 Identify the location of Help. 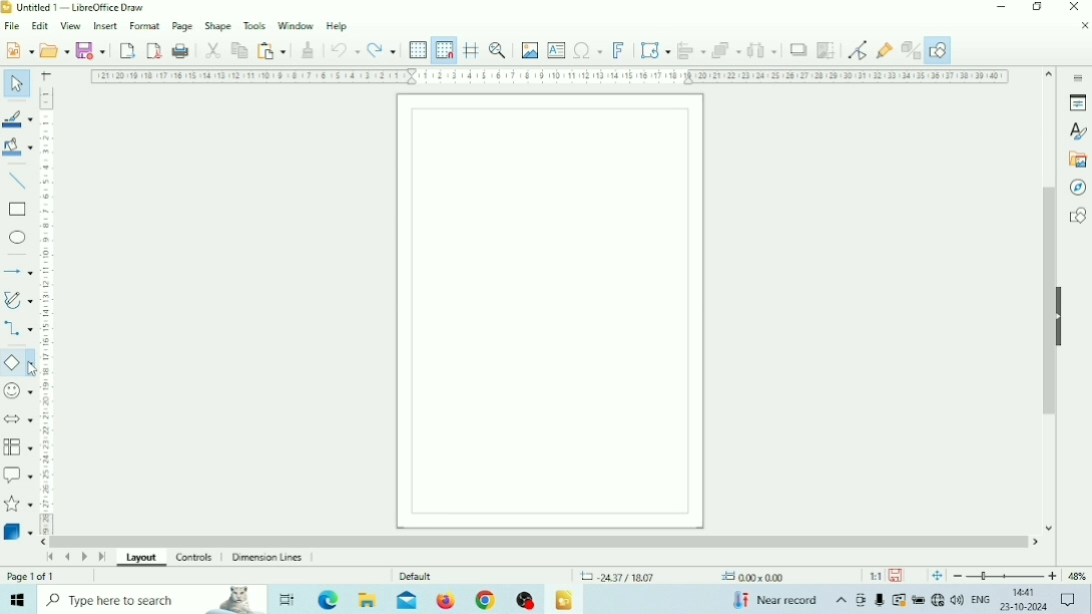
(338, 26).